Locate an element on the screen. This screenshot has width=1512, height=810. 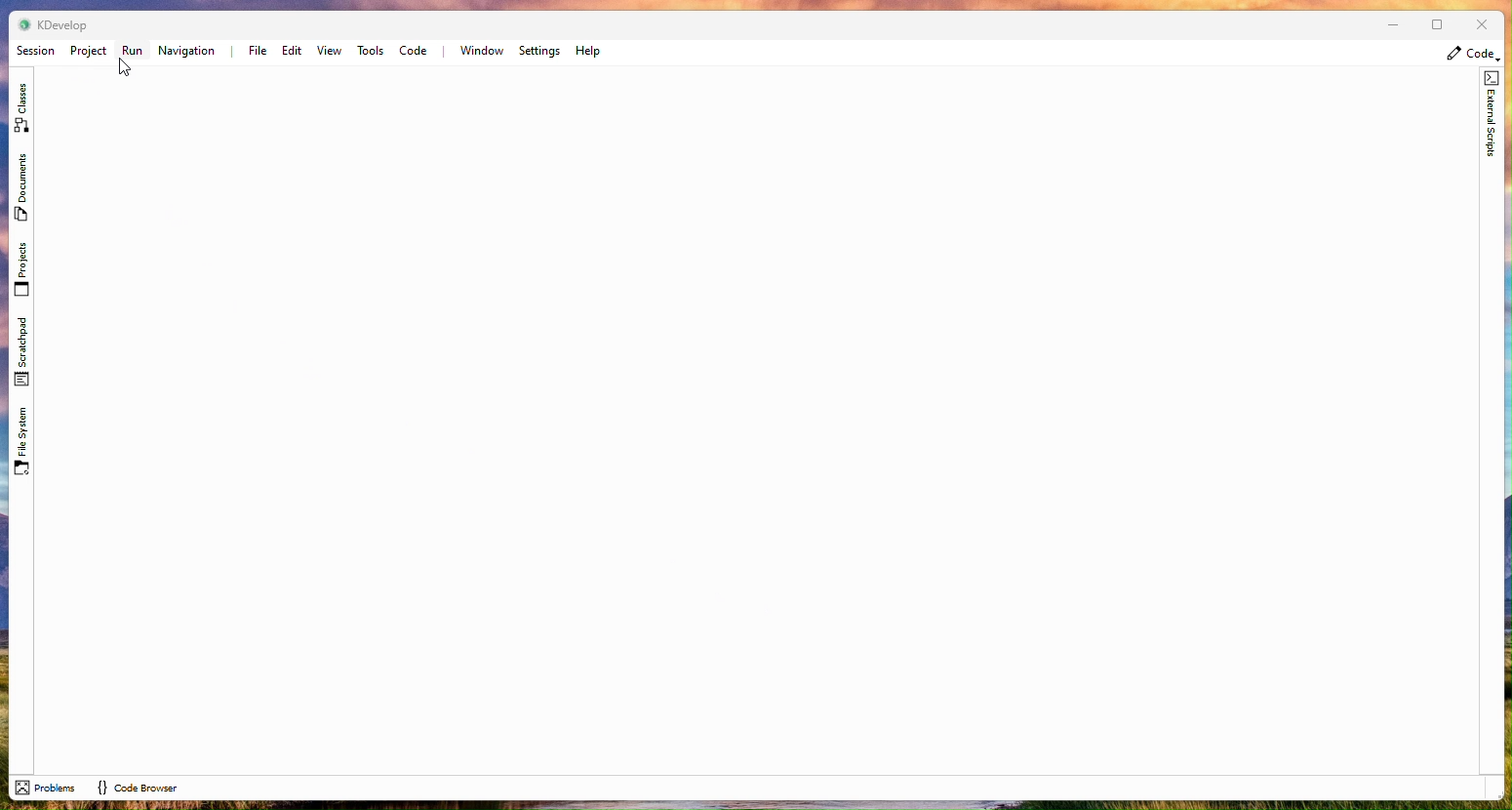
View is located at coordinates (330, 52).